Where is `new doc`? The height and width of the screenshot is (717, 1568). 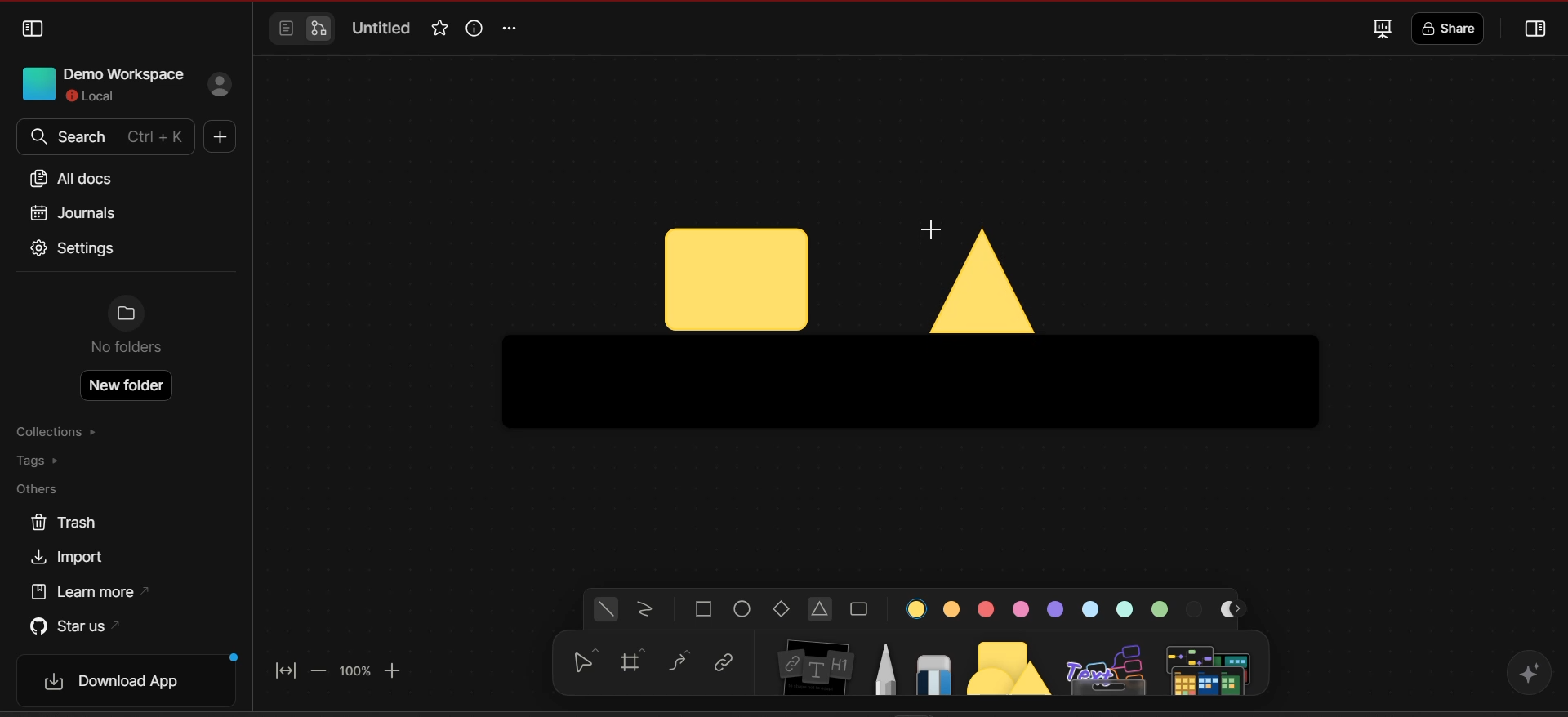 new doc is located at coordinates (217, 139).